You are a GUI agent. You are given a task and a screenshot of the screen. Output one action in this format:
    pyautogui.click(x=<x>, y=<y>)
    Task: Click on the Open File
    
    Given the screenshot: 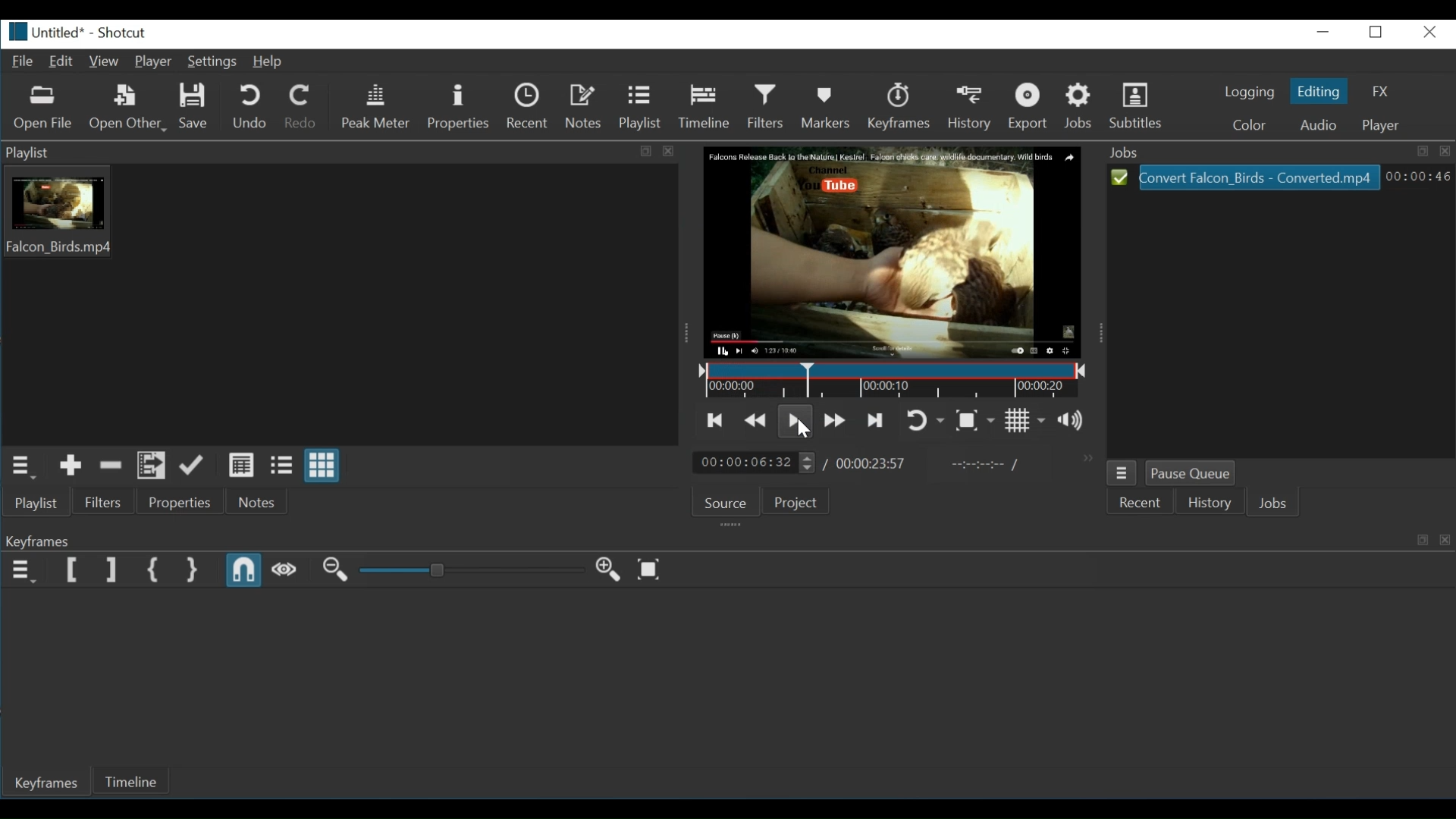 What is the action you would take?
    pyautogui.click(x=44, y=108)
    